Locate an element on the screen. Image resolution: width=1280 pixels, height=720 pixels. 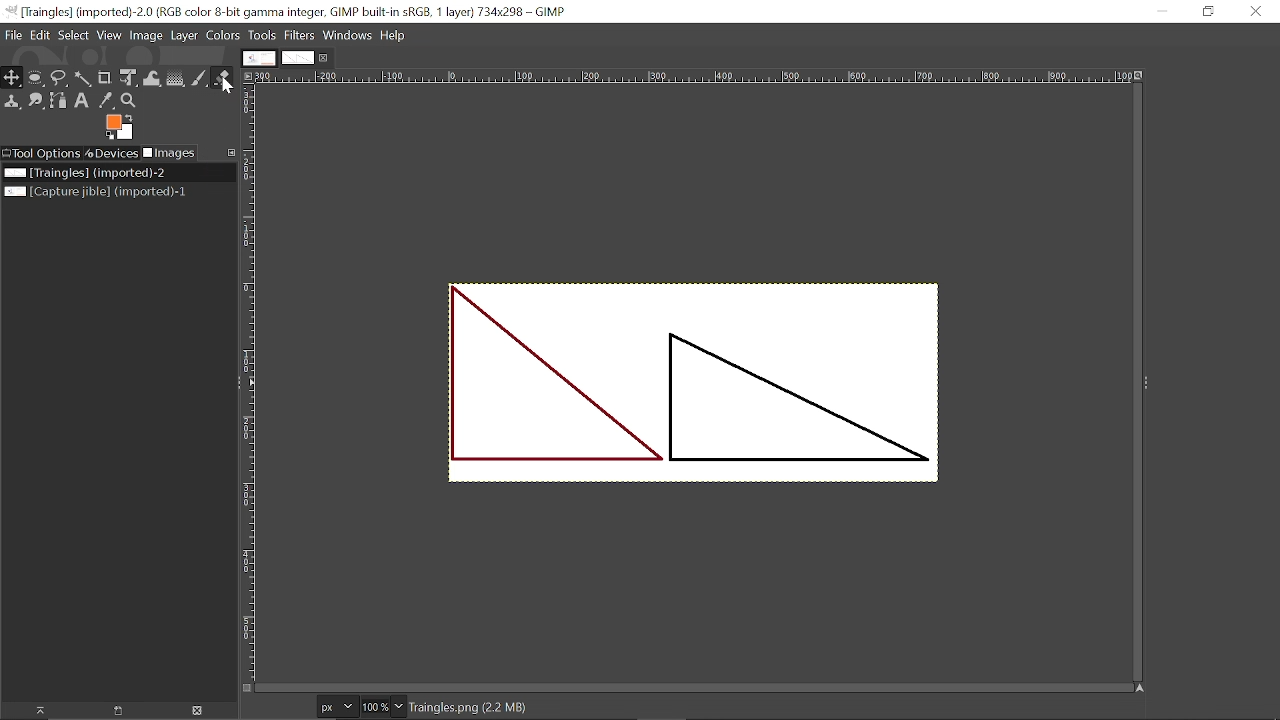
Devices is located at coordinates (112, 153).